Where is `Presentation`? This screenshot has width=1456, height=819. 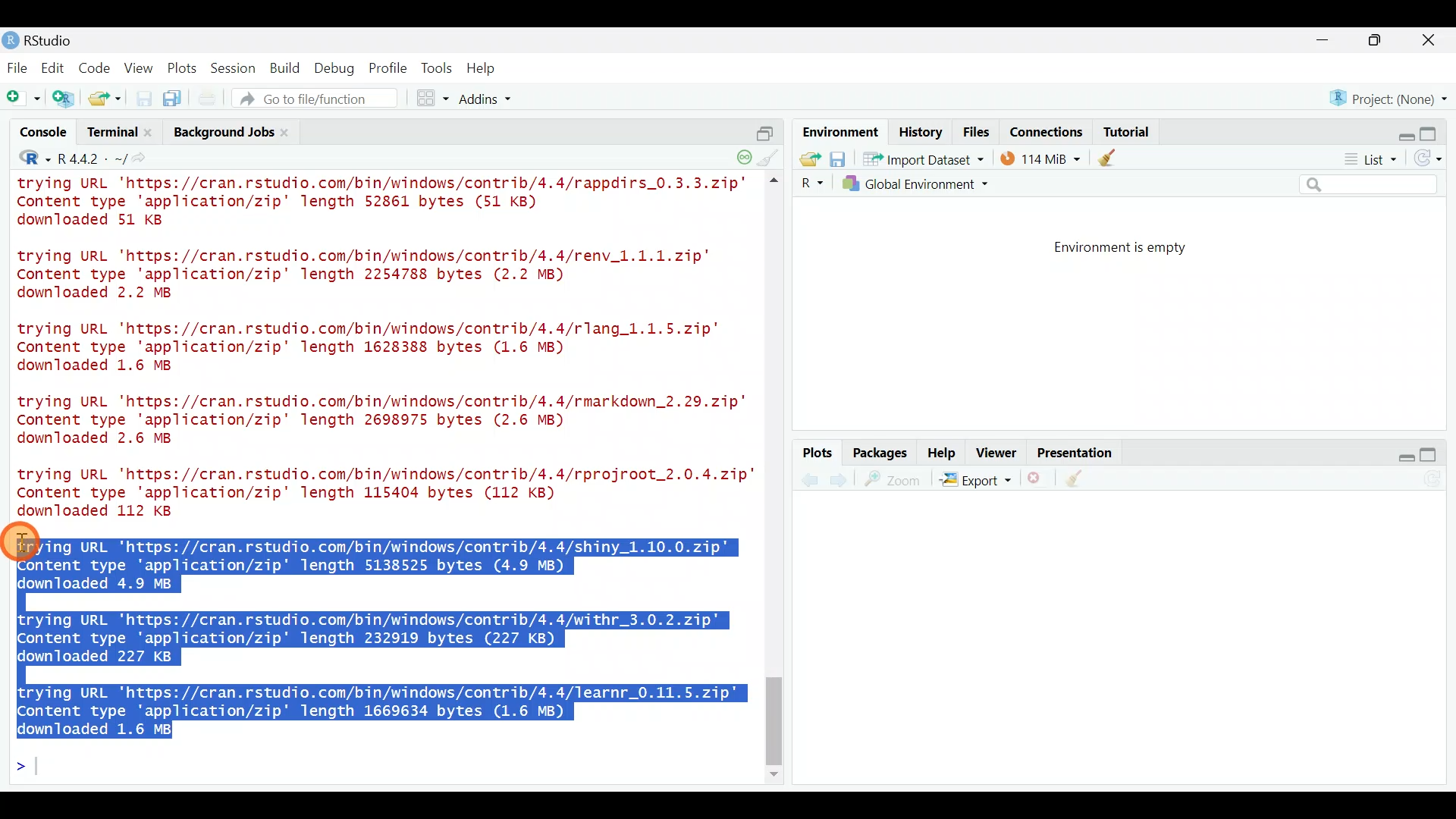
Presentation is located at coordinates (1078, 453).